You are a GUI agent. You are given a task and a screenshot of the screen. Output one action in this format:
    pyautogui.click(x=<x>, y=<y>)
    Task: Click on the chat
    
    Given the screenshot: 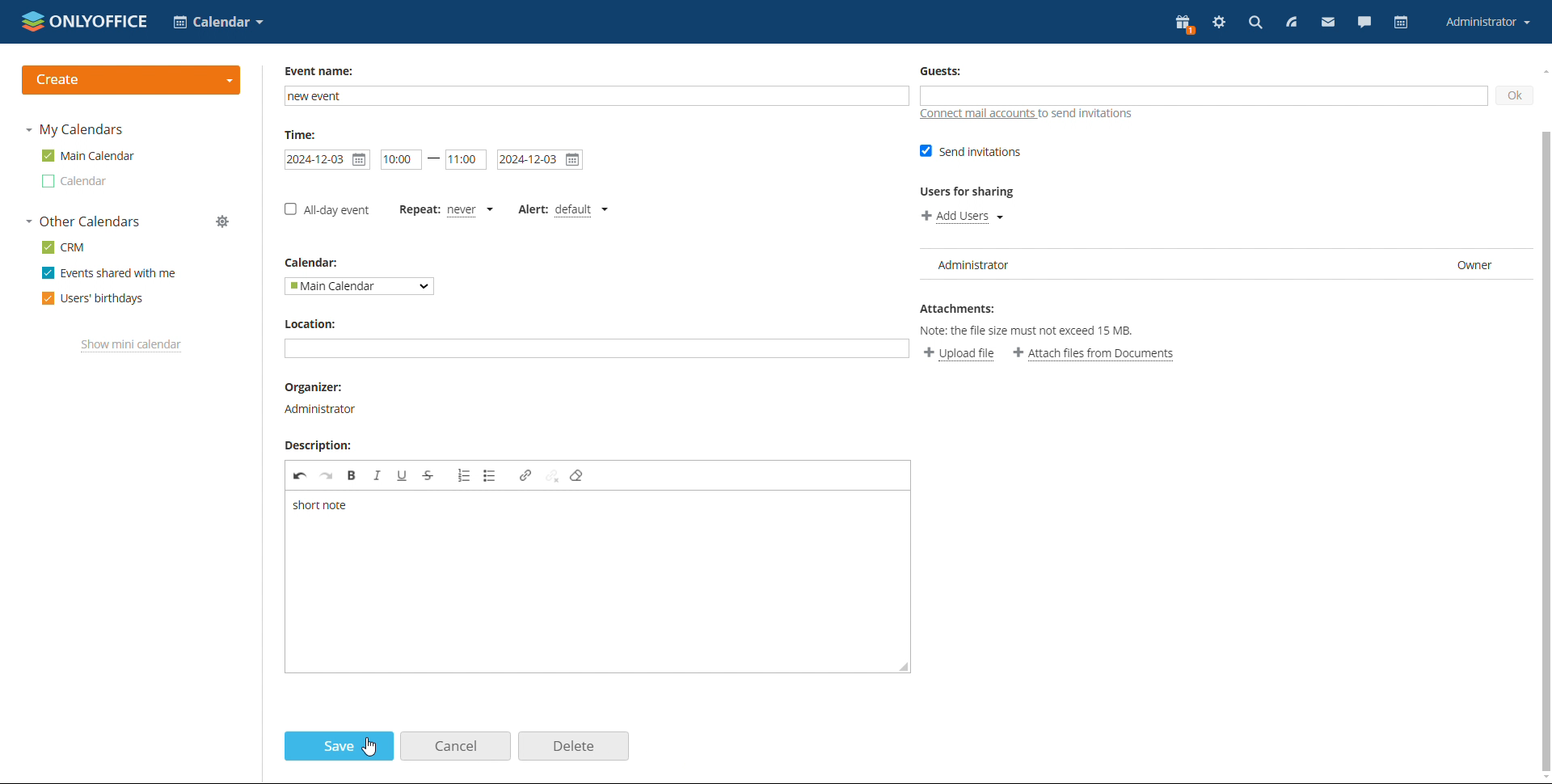 What is the action you would take?
    pyautogui.click(x=1364, y=22)
    